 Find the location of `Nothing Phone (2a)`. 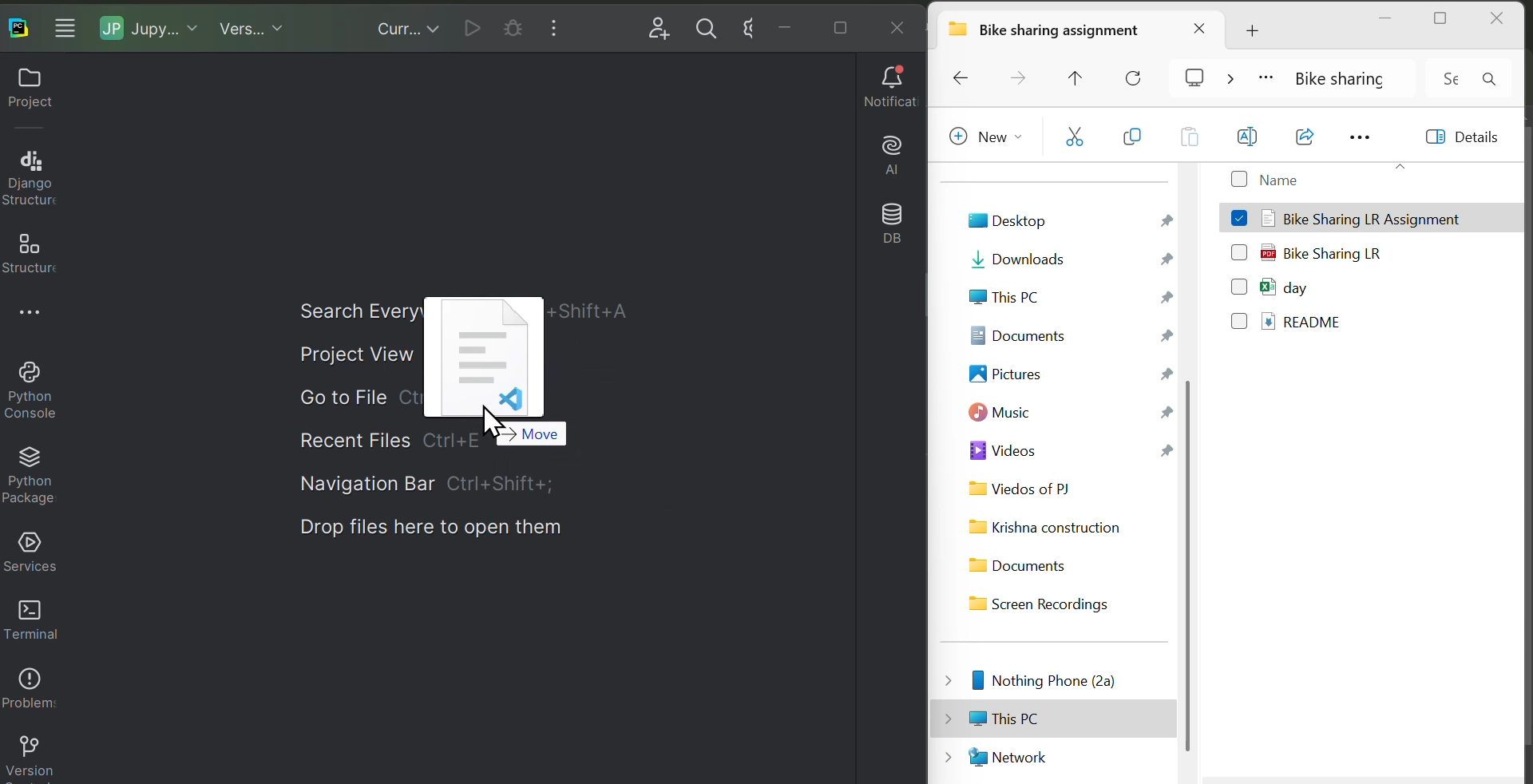

Nothing Phone (2a) is located at coordinates (1040, 679).